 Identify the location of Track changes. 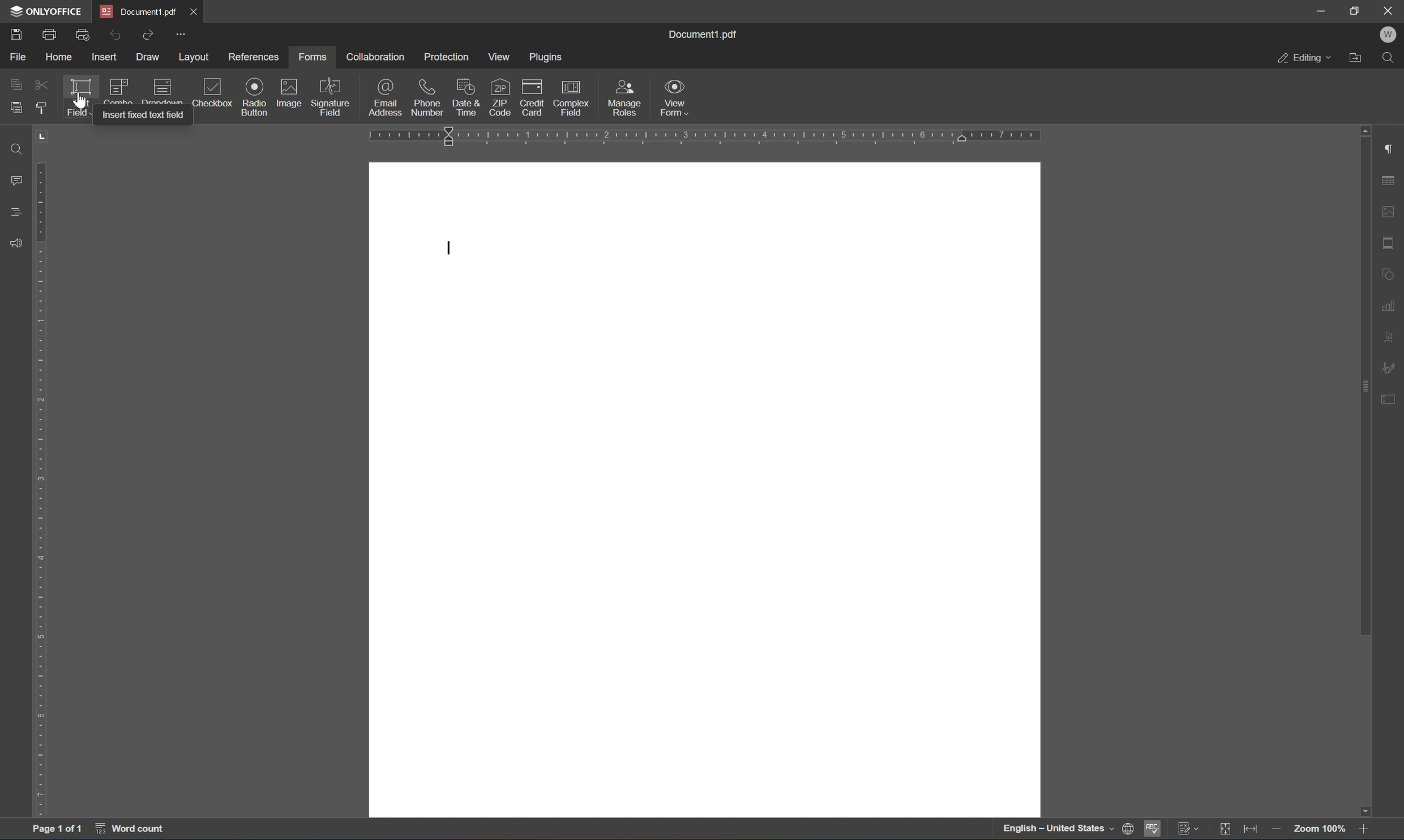
(1227, 830).